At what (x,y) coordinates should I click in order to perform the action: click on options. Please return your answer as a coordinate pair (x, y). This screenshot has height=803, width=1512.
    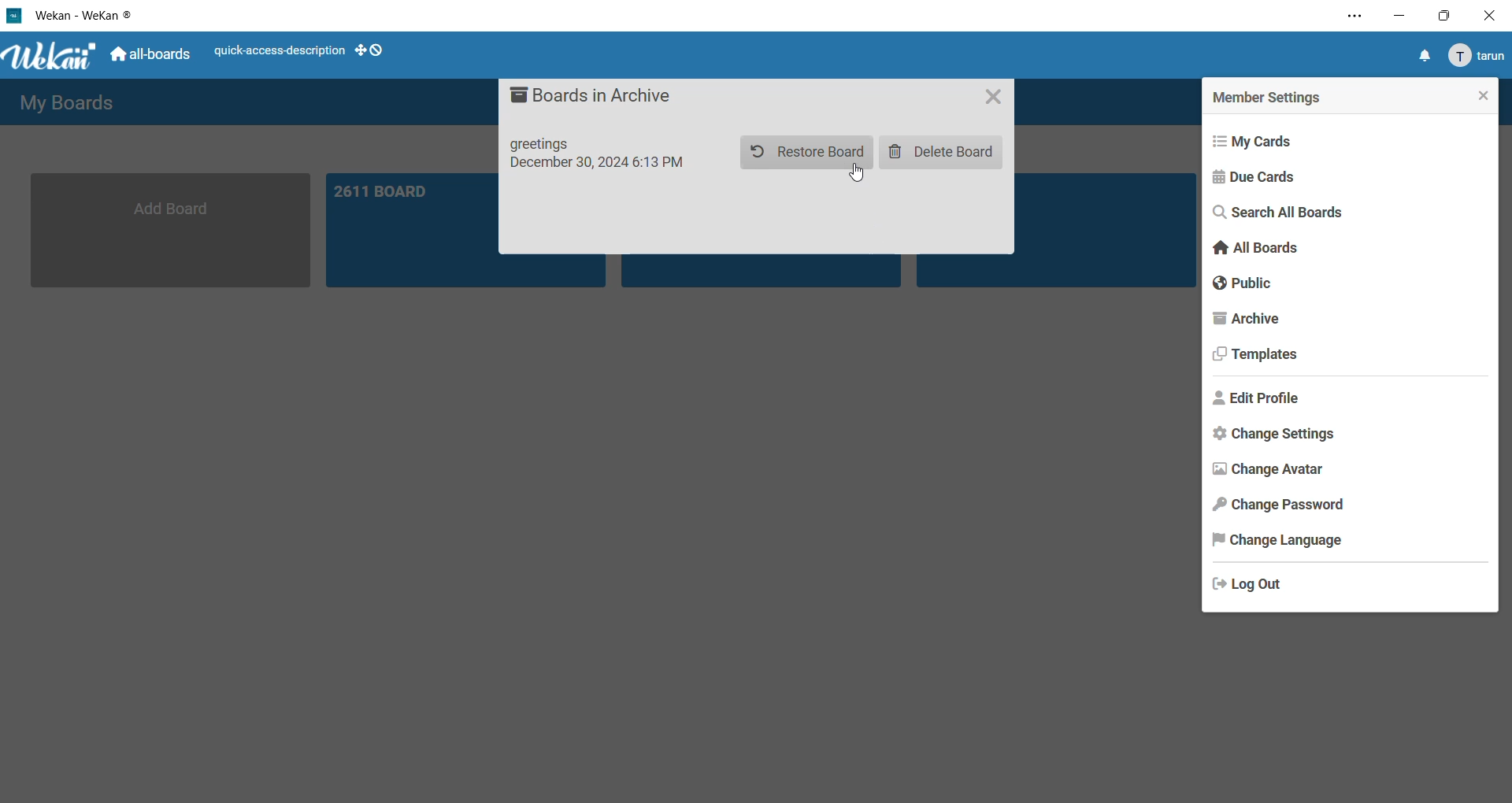
    Looking at the image, I should click on (1347, 19).